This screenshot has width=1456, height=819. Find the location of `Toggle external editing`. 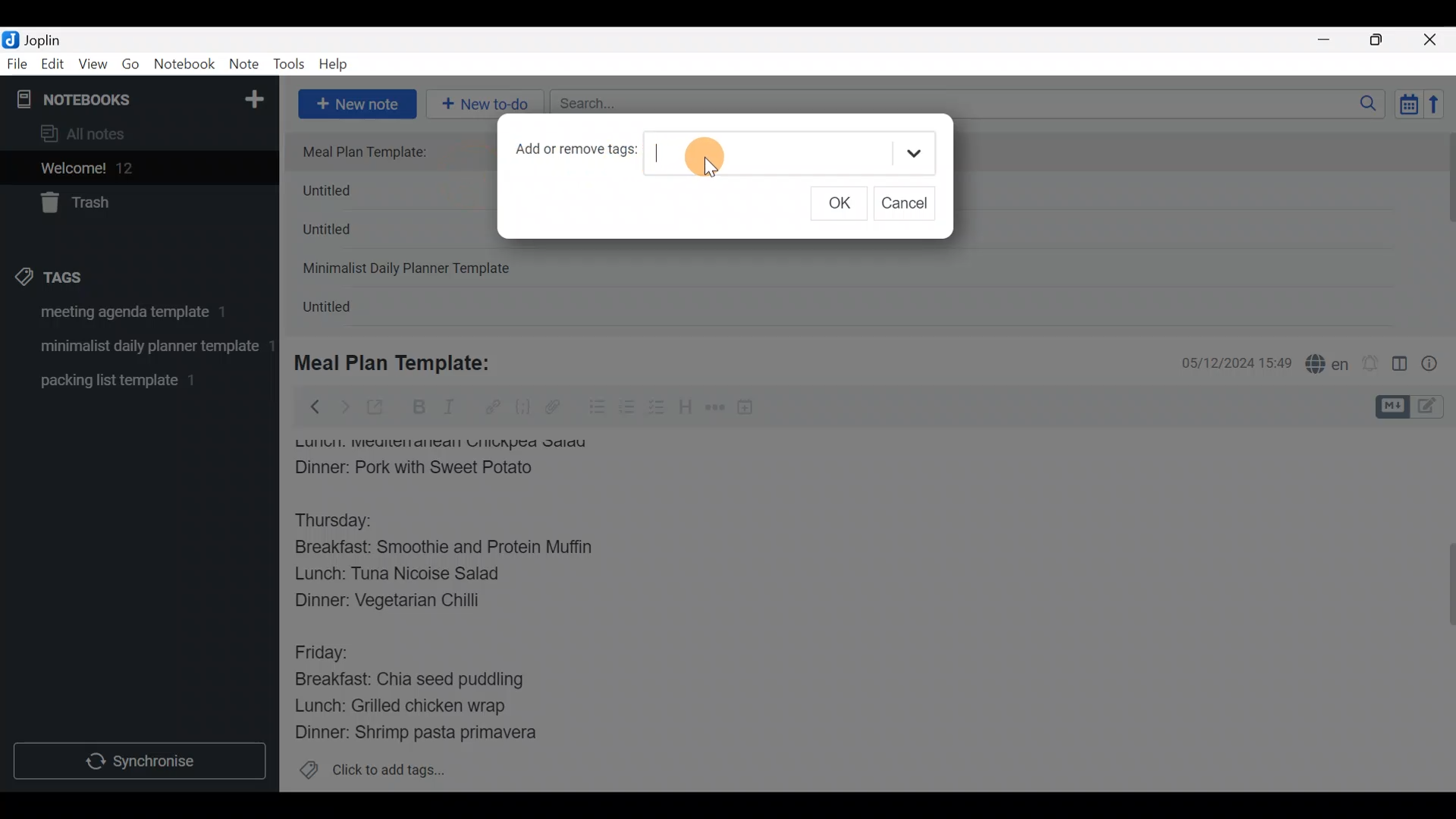

Toggle external editing is located at coordinates (381, 408).